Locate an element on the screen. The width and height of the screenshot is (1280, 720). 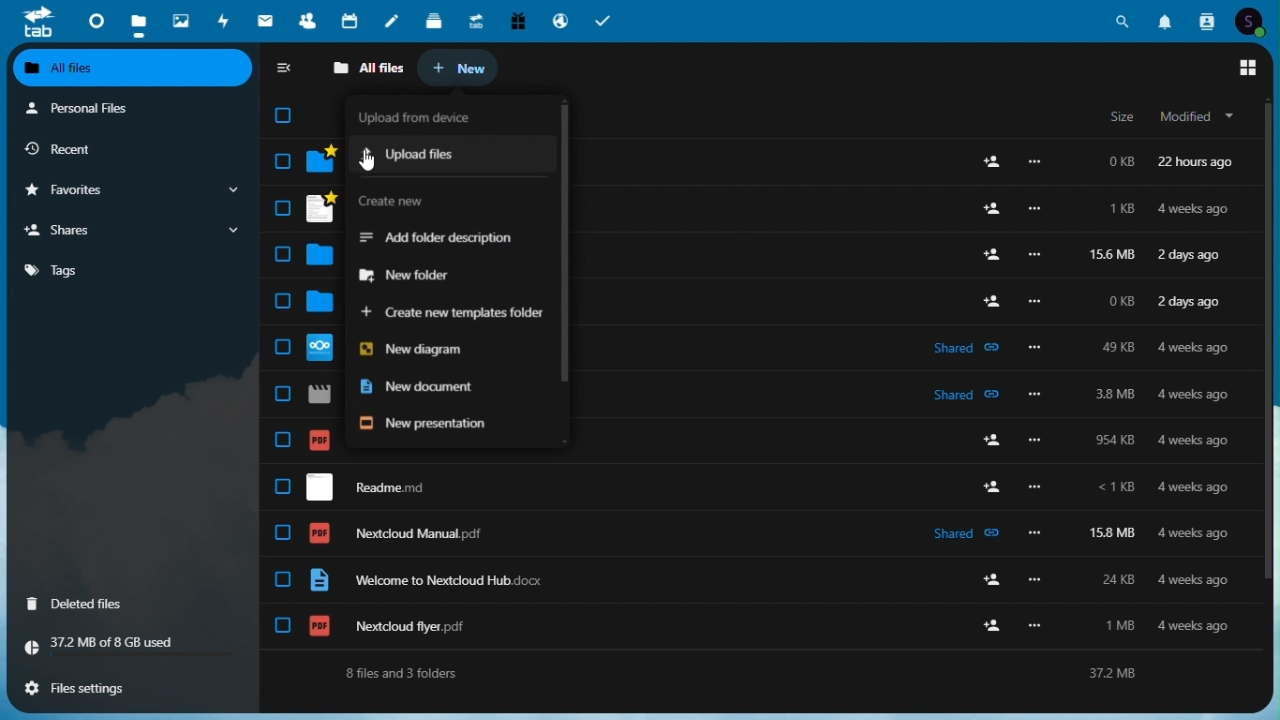
folder is located at coordinates (321, 162).